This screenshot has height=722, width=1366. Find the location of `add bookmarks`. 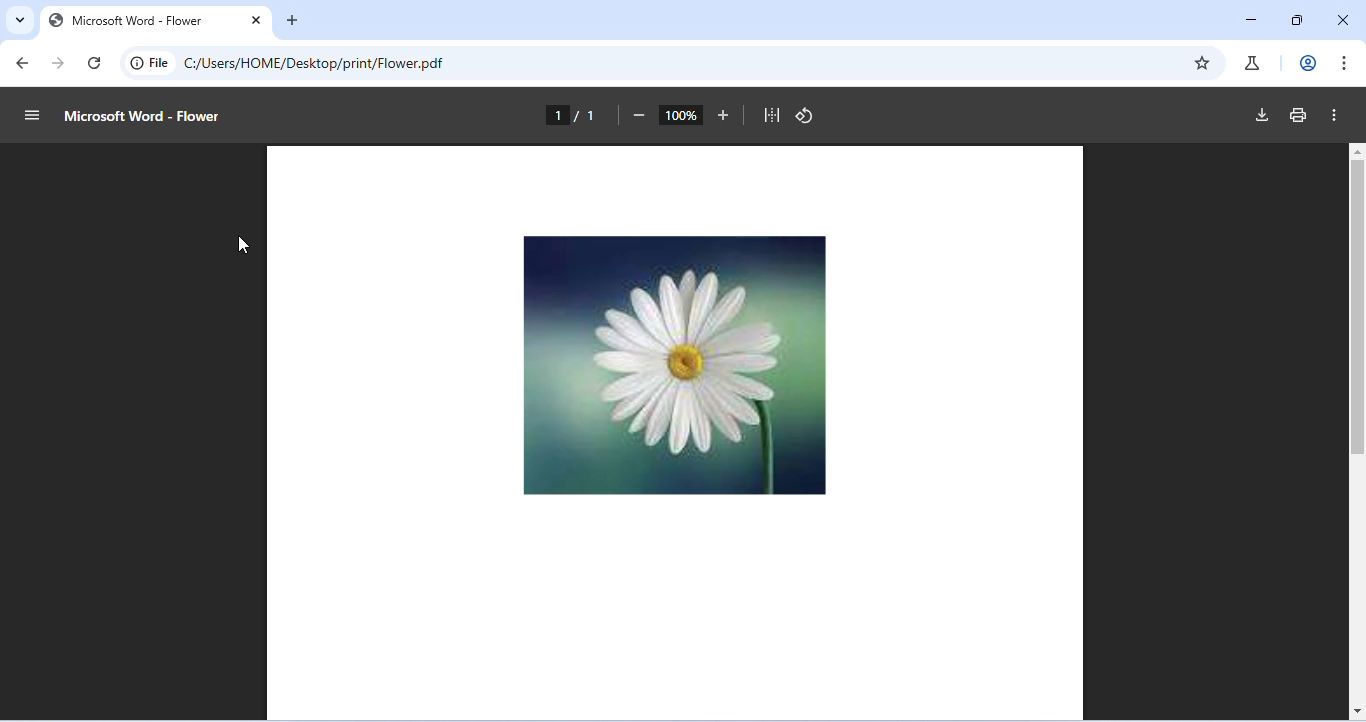

add bookmarks is located at coordinates (1200, 63).